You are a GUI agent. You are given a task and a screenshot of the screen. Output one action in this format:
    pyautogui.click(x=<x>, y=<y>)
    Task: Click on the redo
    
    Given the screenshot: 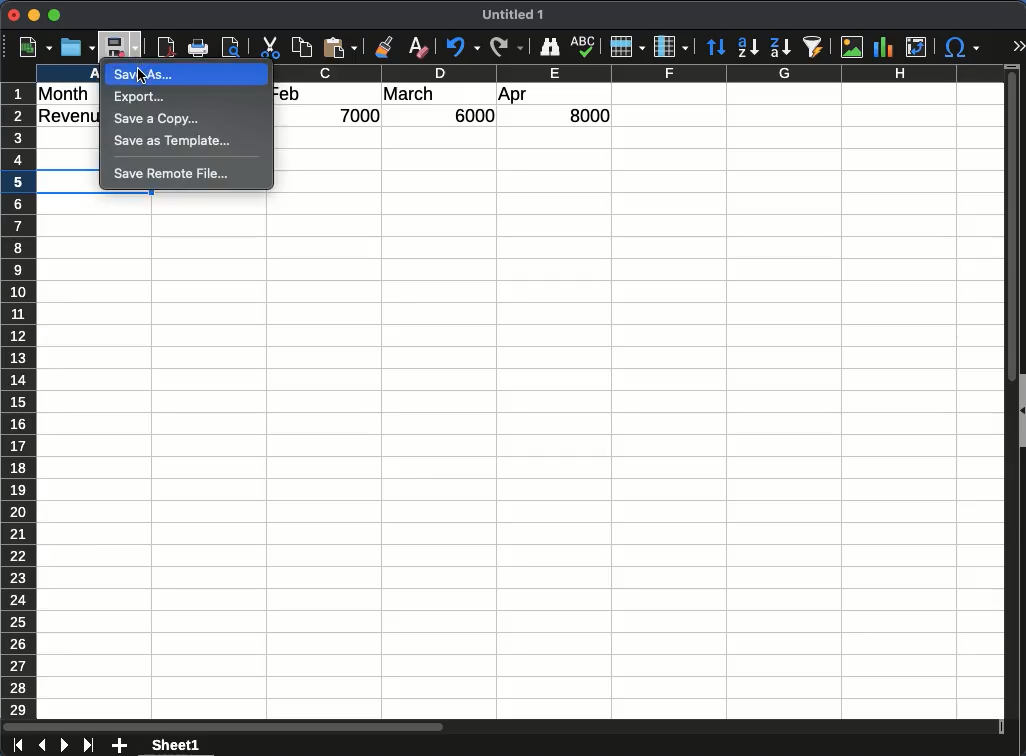 What is the action you would take?
    pyautogui.click(x=505, y=47)
    